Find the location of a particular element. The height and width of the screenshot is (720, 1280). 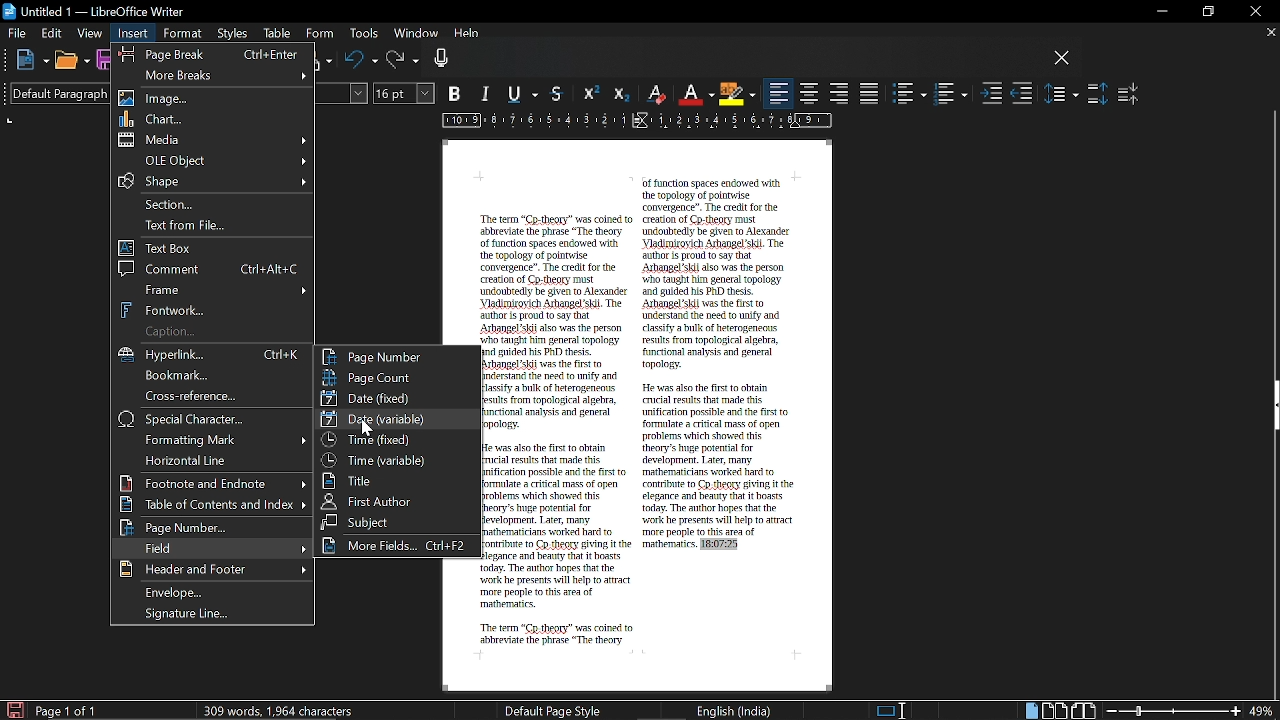

cross reference is located at coordinates (211, 396).